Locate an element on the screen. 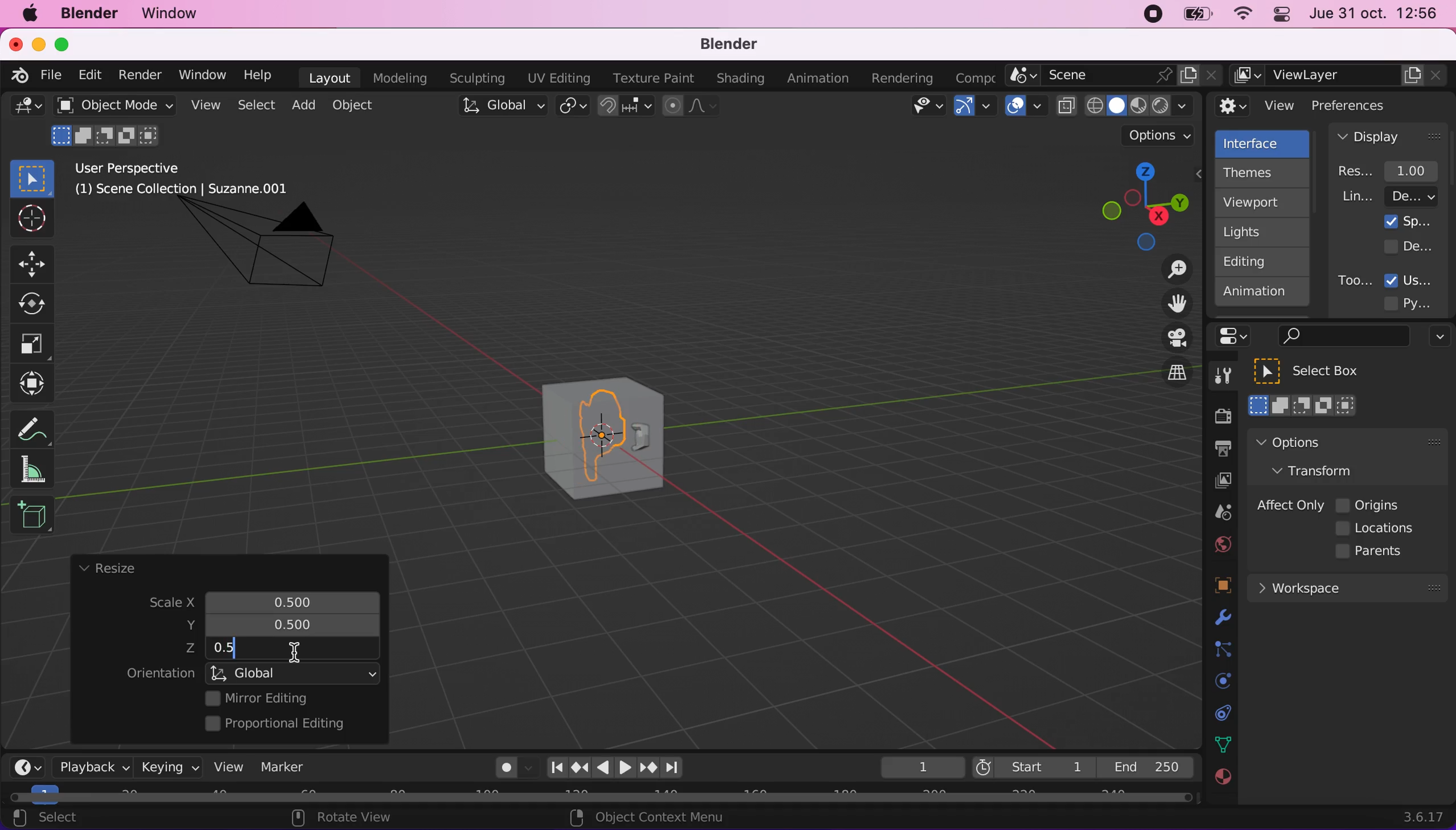 The height and width of the screenshot is (830, 1456). view is located at coordinates (224, 766).